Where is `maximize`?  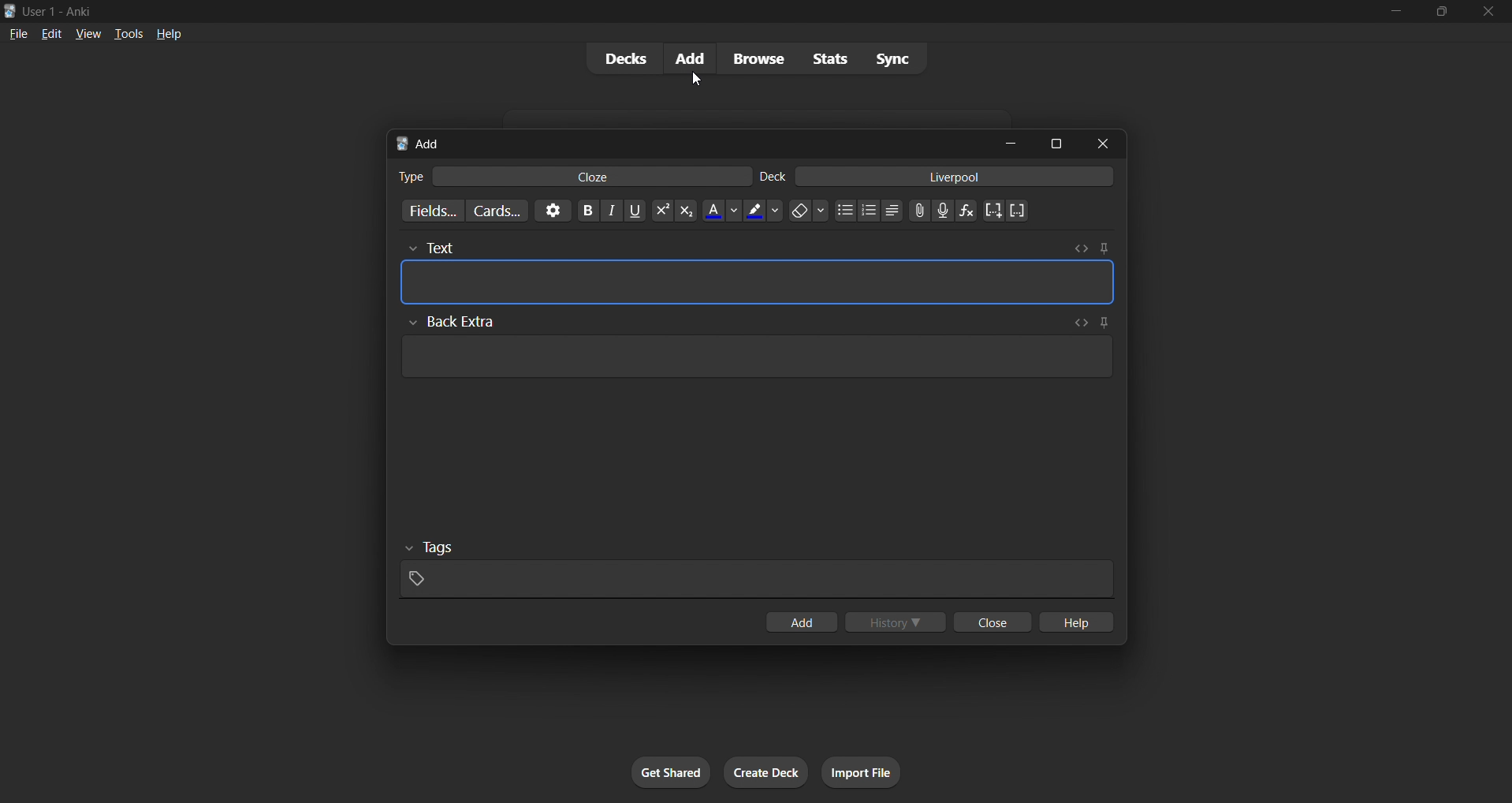
maximize is located at coordinates (1051, 143).